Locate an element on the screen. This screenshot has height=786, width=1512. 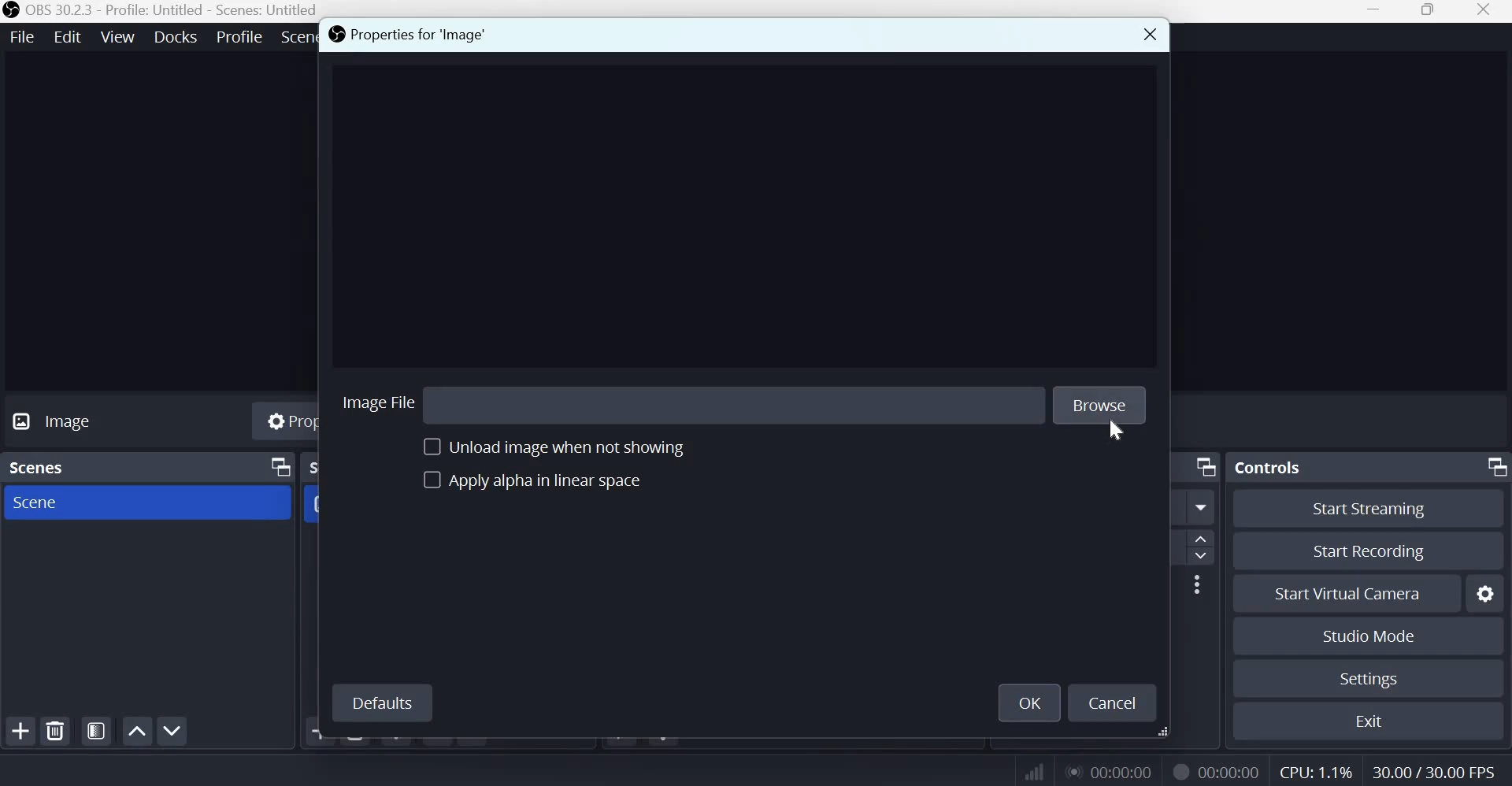
Exit is located at coordinates (1370, 719).